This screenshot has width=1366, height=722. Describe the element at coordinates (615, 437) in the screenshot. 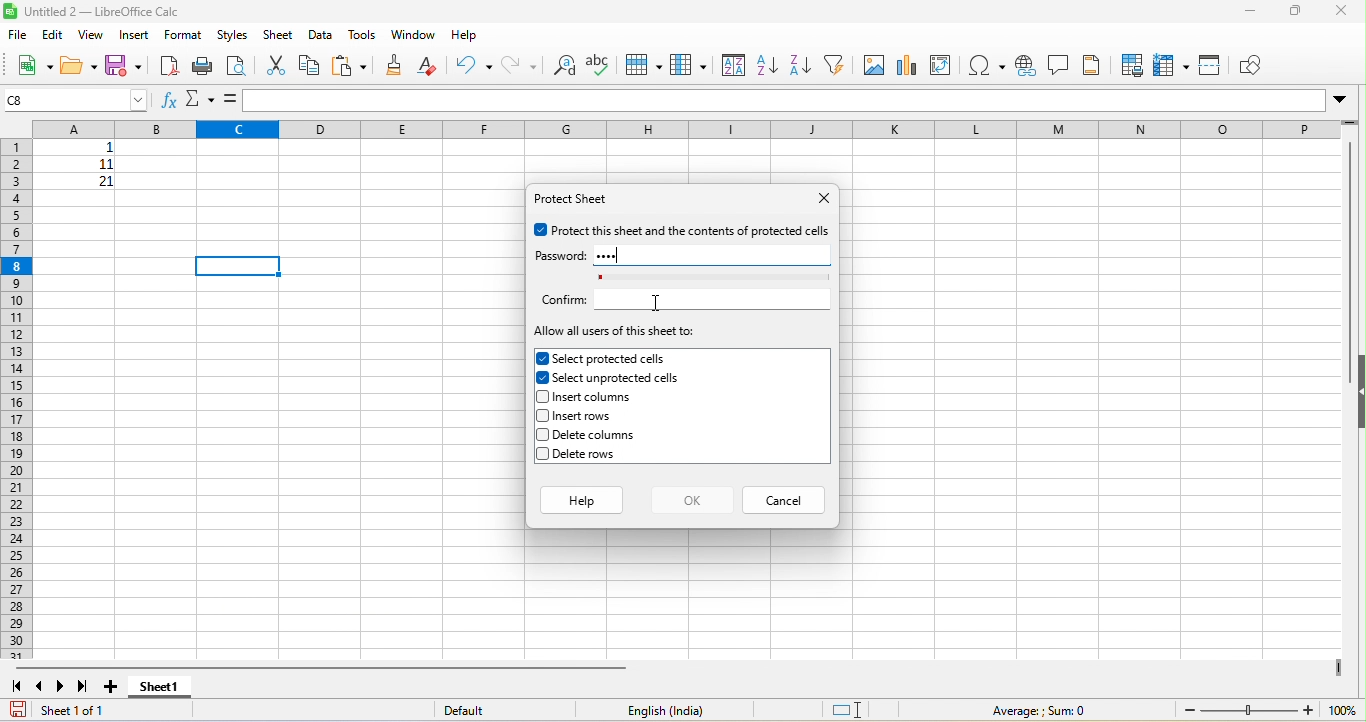

I see `delete columns` at that location.